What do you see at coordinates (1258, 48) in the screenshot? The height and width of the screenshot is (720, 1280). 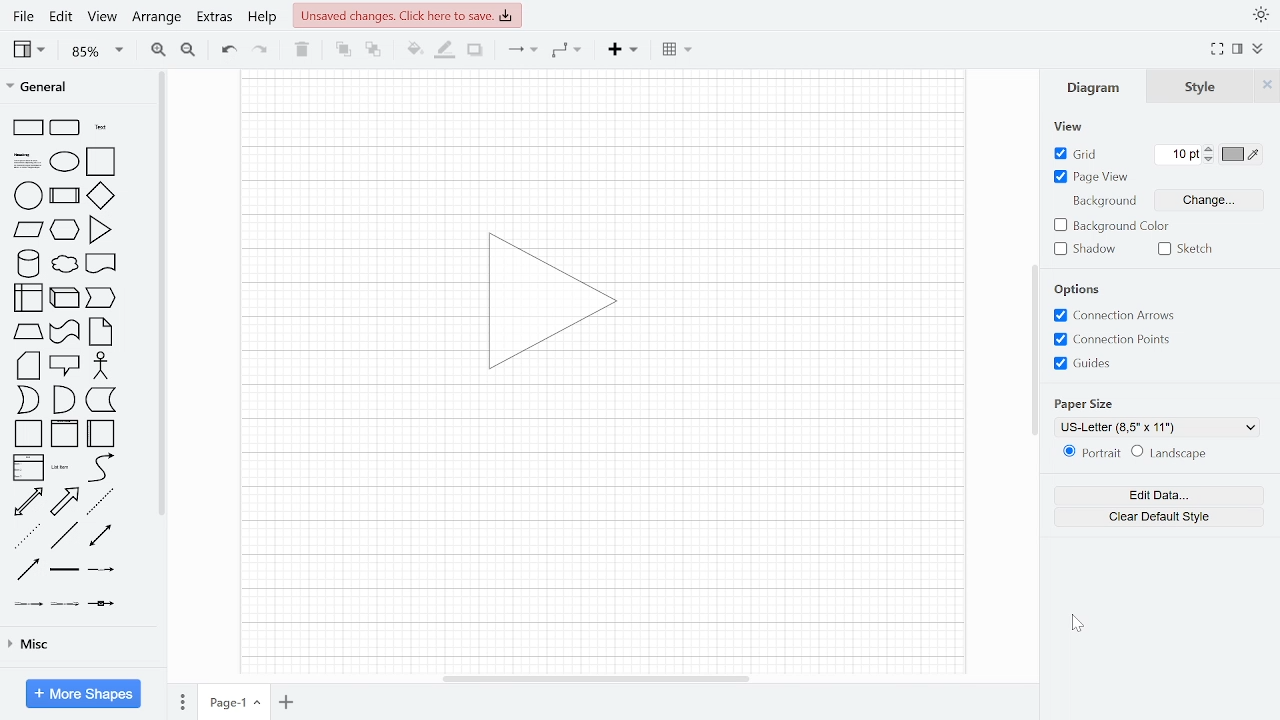 I see `collapse` at bounding box center [1258, 48].